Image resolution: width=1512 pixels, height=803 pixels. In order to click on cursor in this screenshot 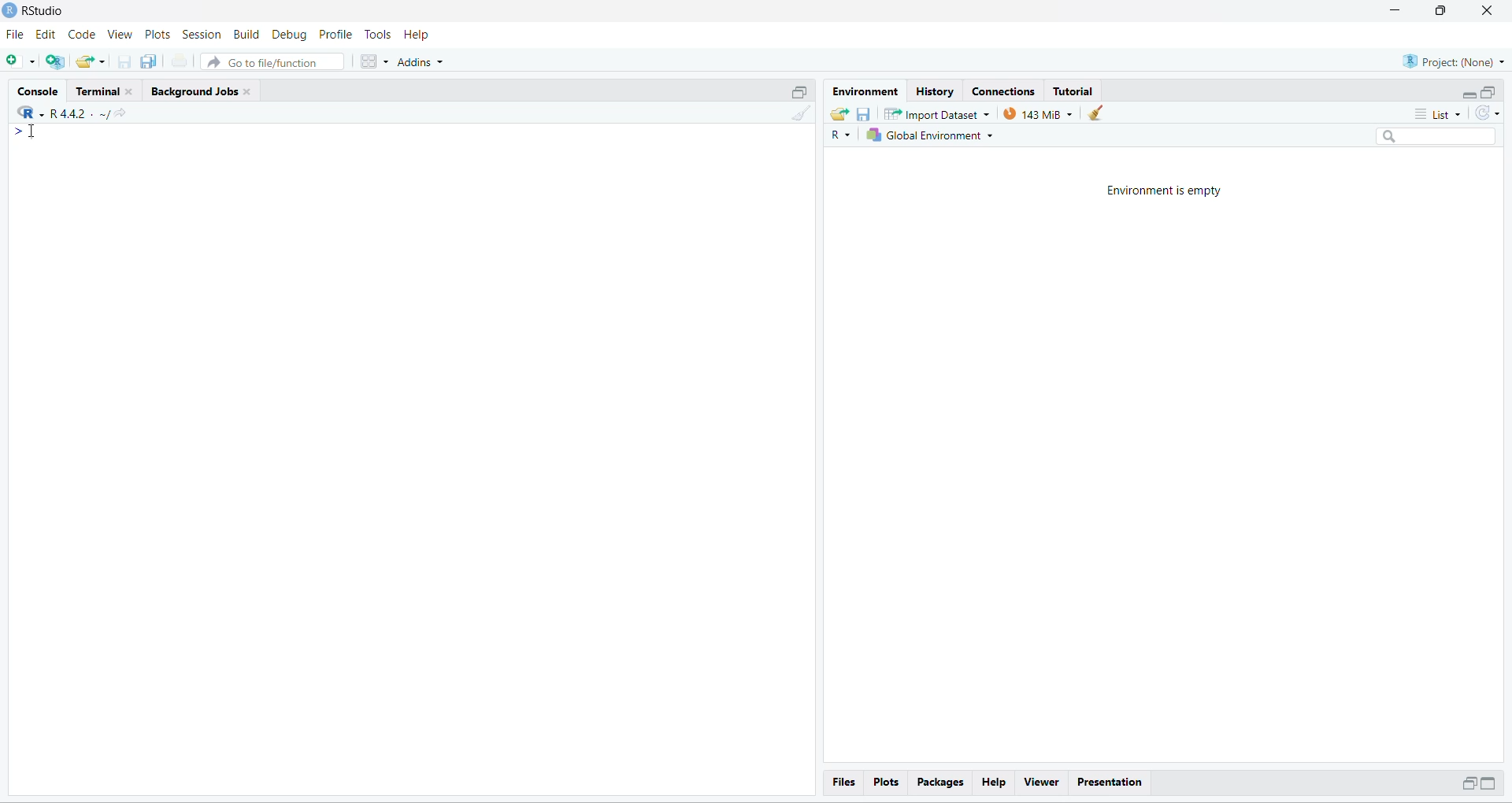, I will do `click(35, 131)`.